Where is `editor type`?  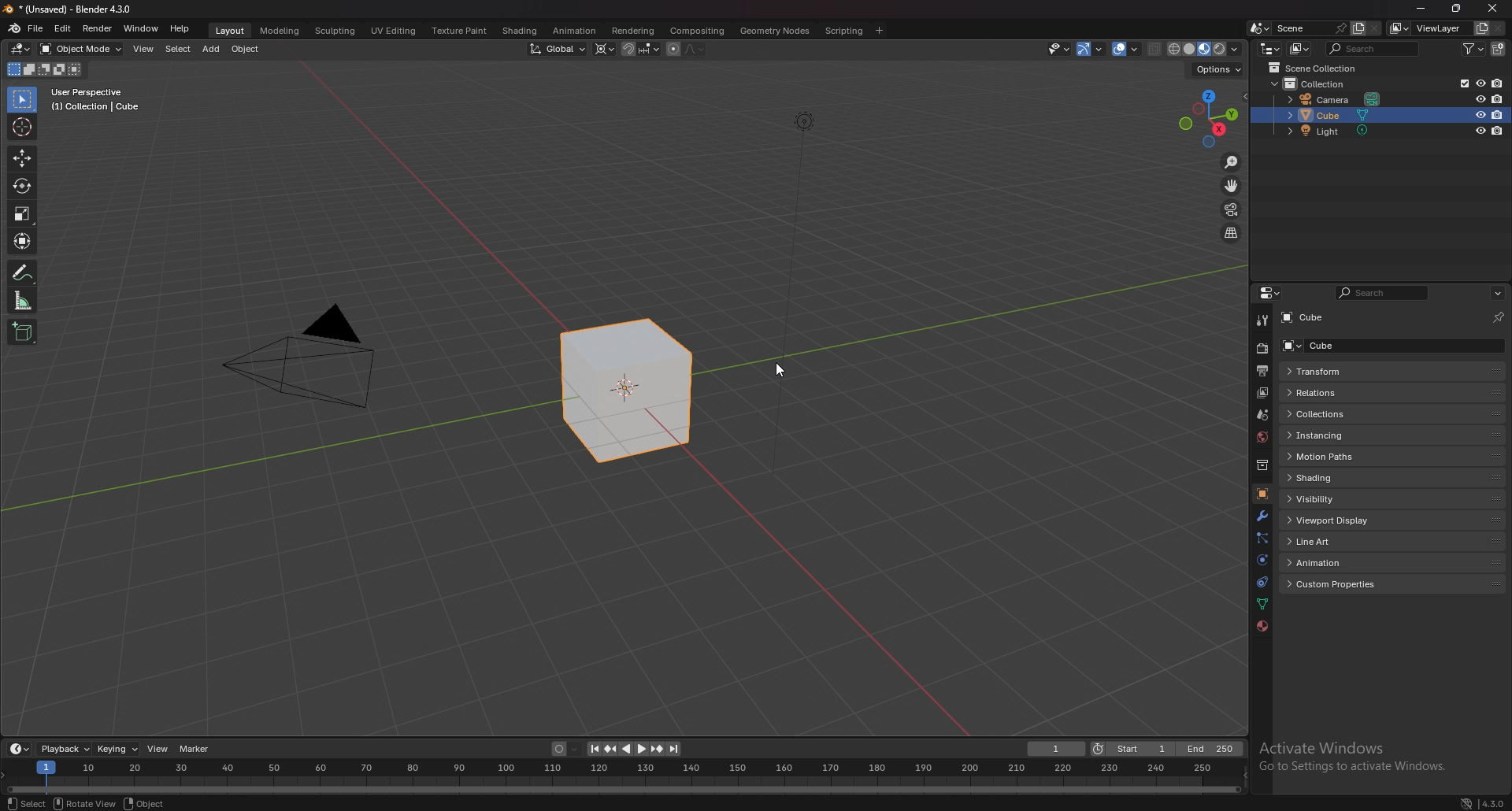
editor type is located at coordinates (1269, 49).